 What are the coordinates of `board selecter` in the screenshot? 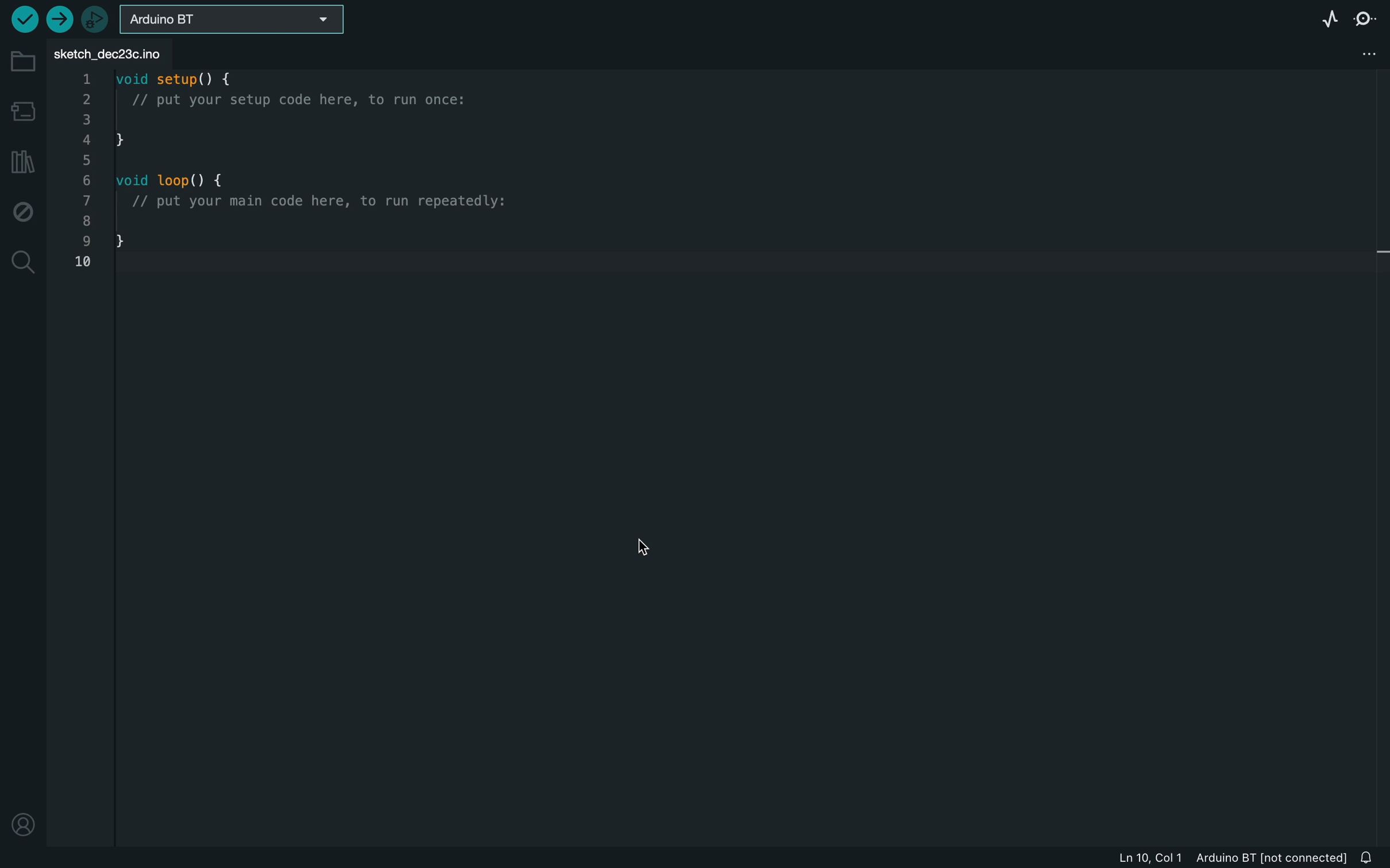 It's located at (233, 19).